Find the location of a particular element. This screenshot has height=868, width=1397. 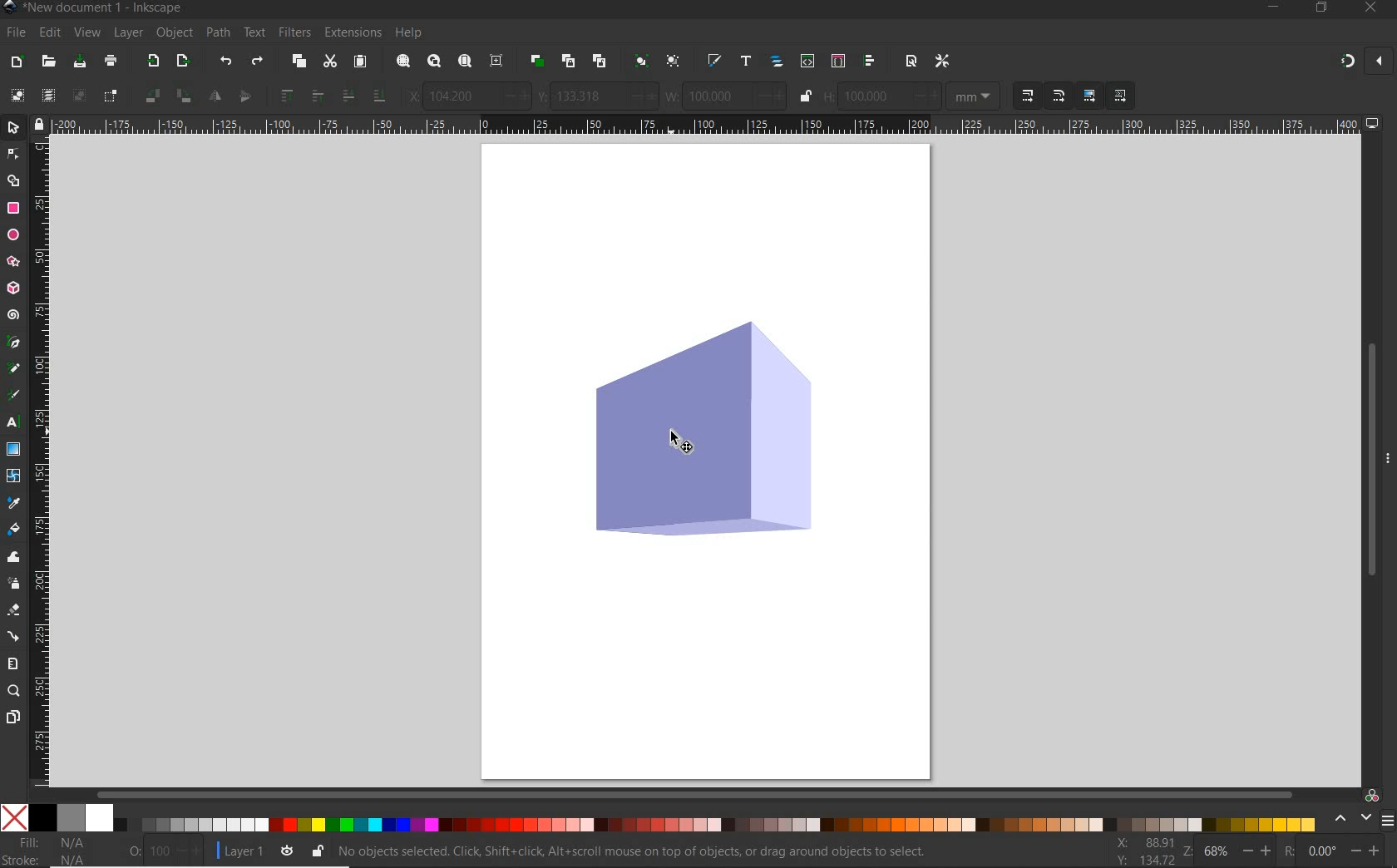

CLOSE is located at coordinates (1369, 12).